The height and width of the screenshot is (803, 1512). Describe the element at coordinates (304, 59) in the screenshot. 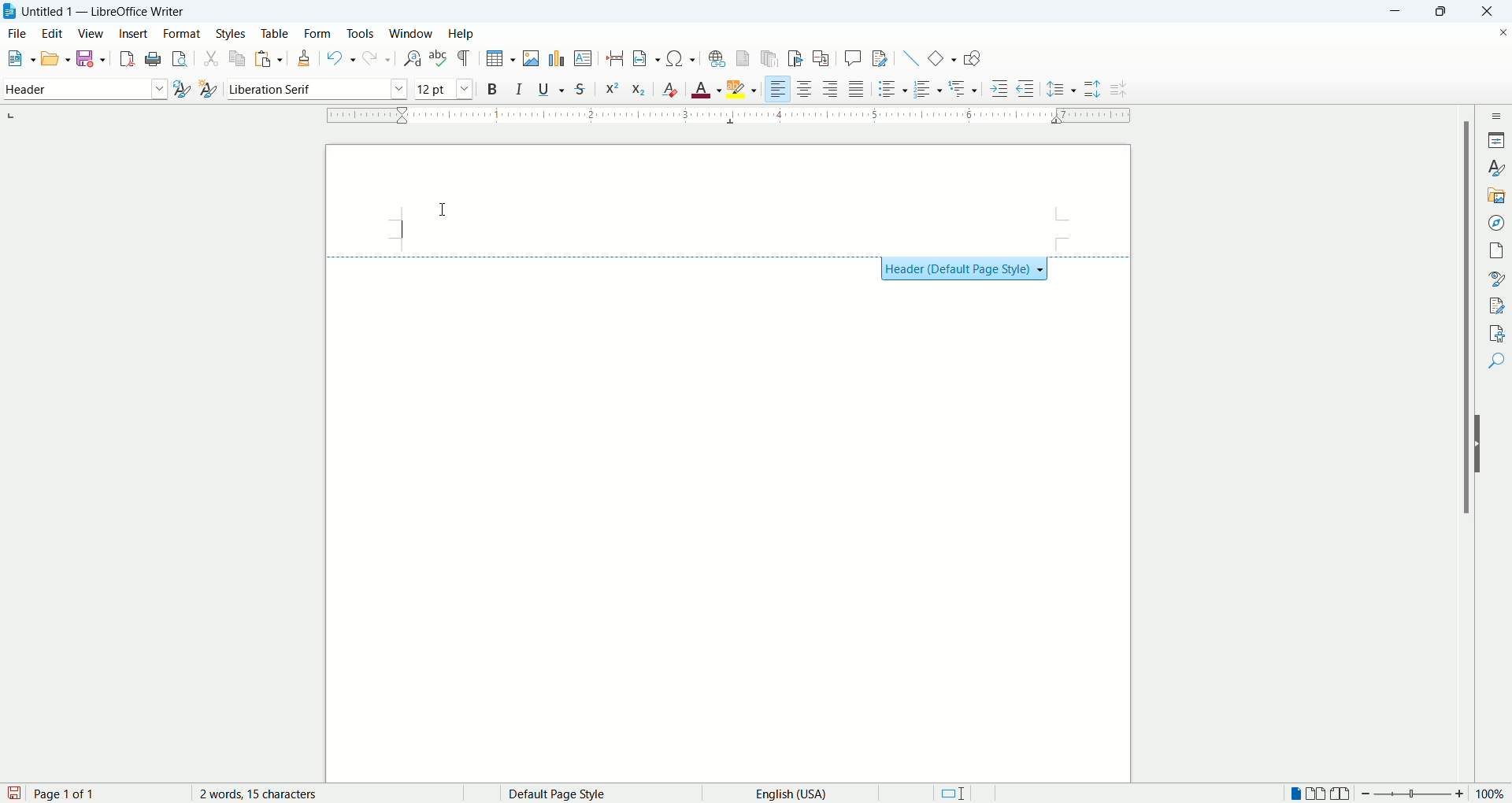

I see `clone formatting` at that location.